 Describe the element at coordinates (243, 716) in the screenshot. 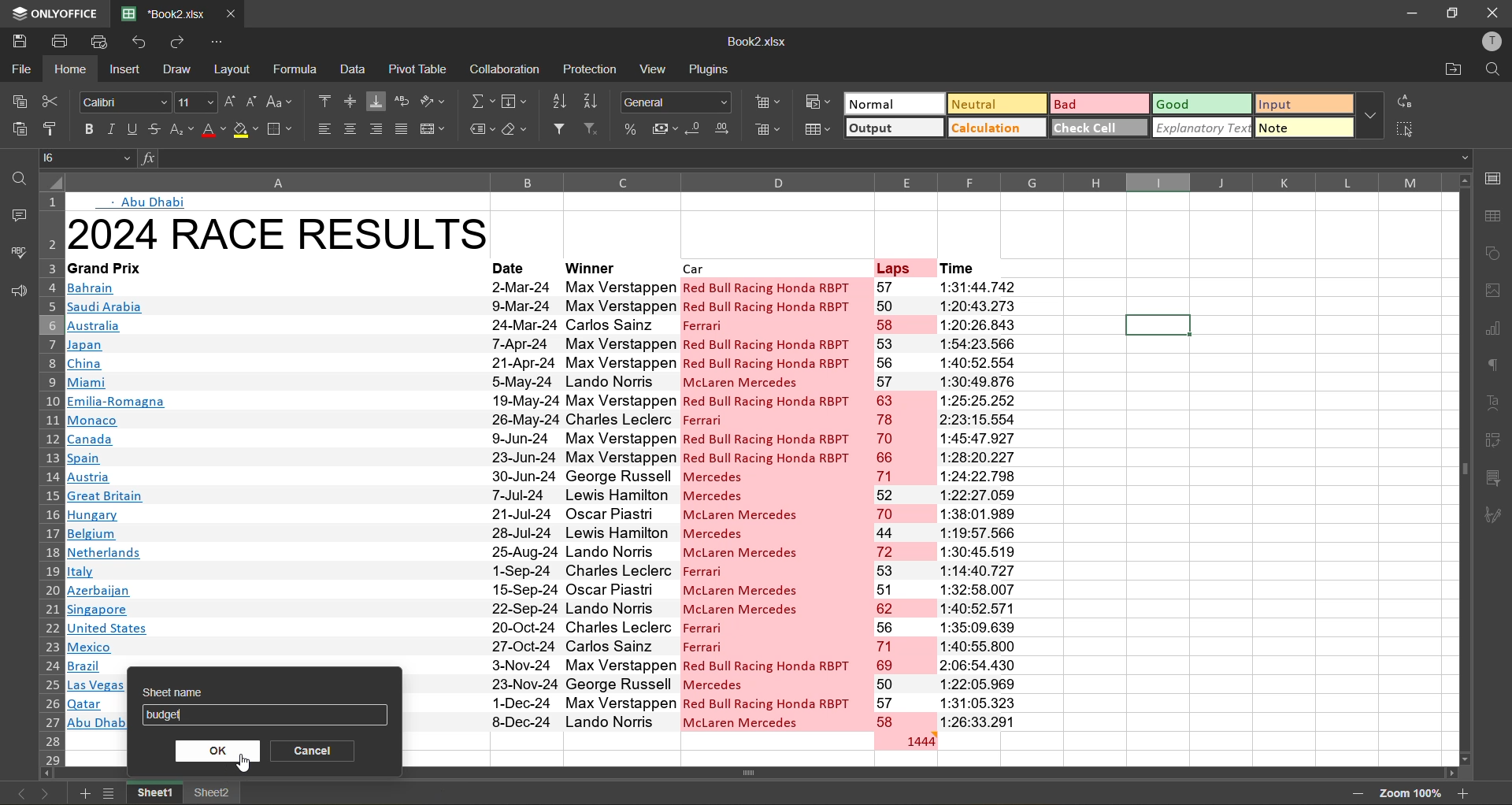

I see `sheet name` at that location.